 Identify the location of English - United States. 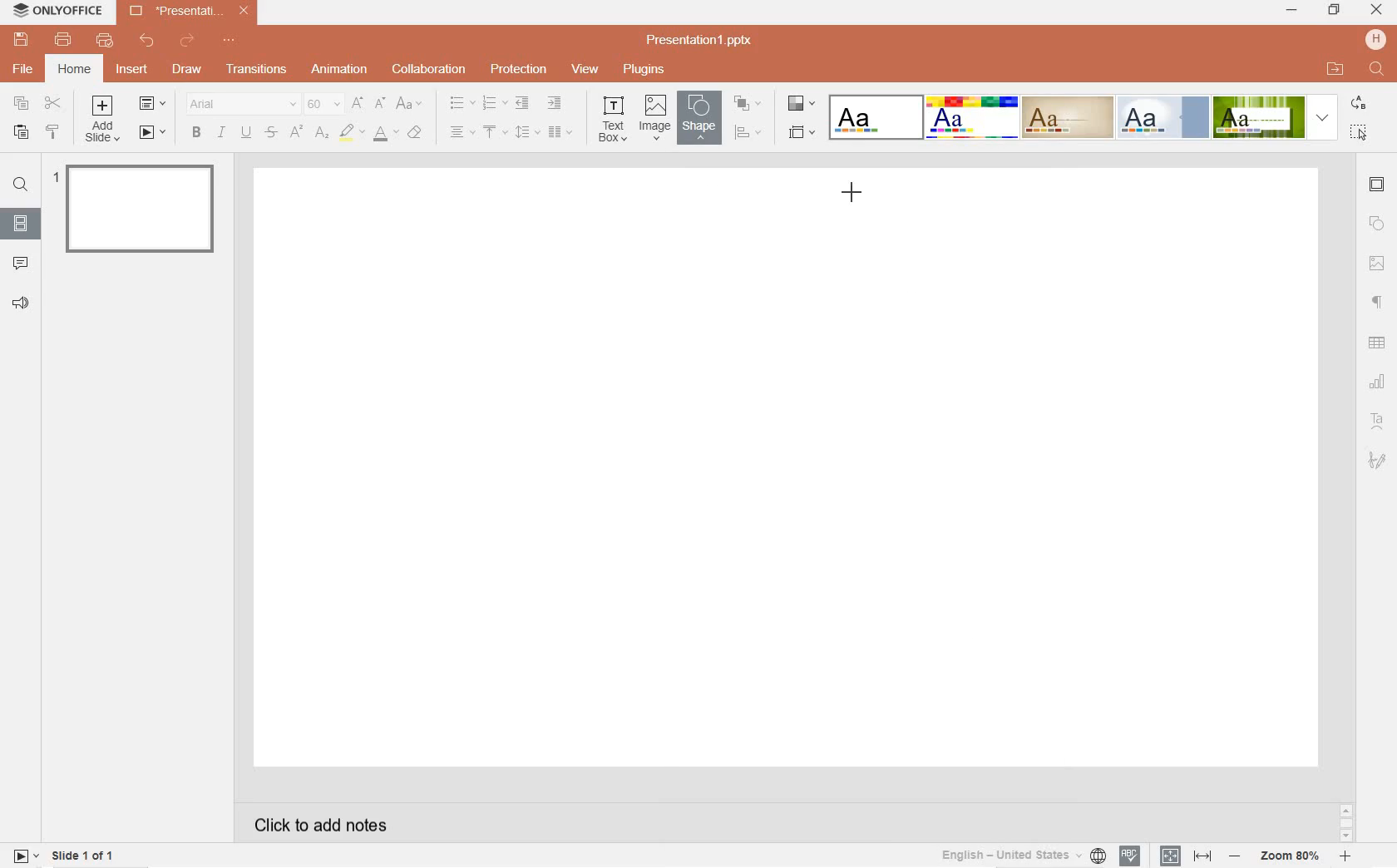
(1021, 856).